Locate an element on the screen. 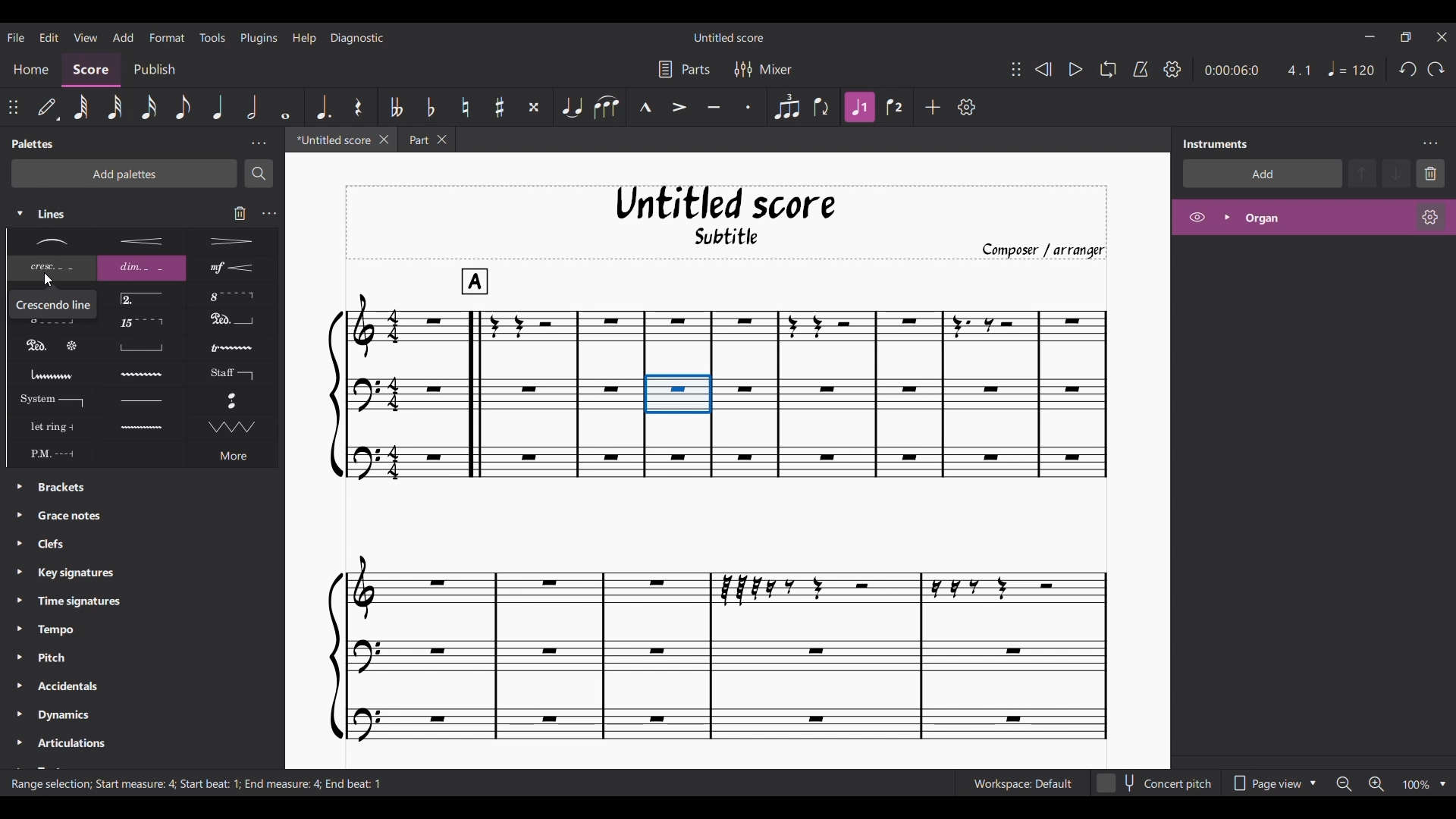  Half note is located at coordinates (252, 107).